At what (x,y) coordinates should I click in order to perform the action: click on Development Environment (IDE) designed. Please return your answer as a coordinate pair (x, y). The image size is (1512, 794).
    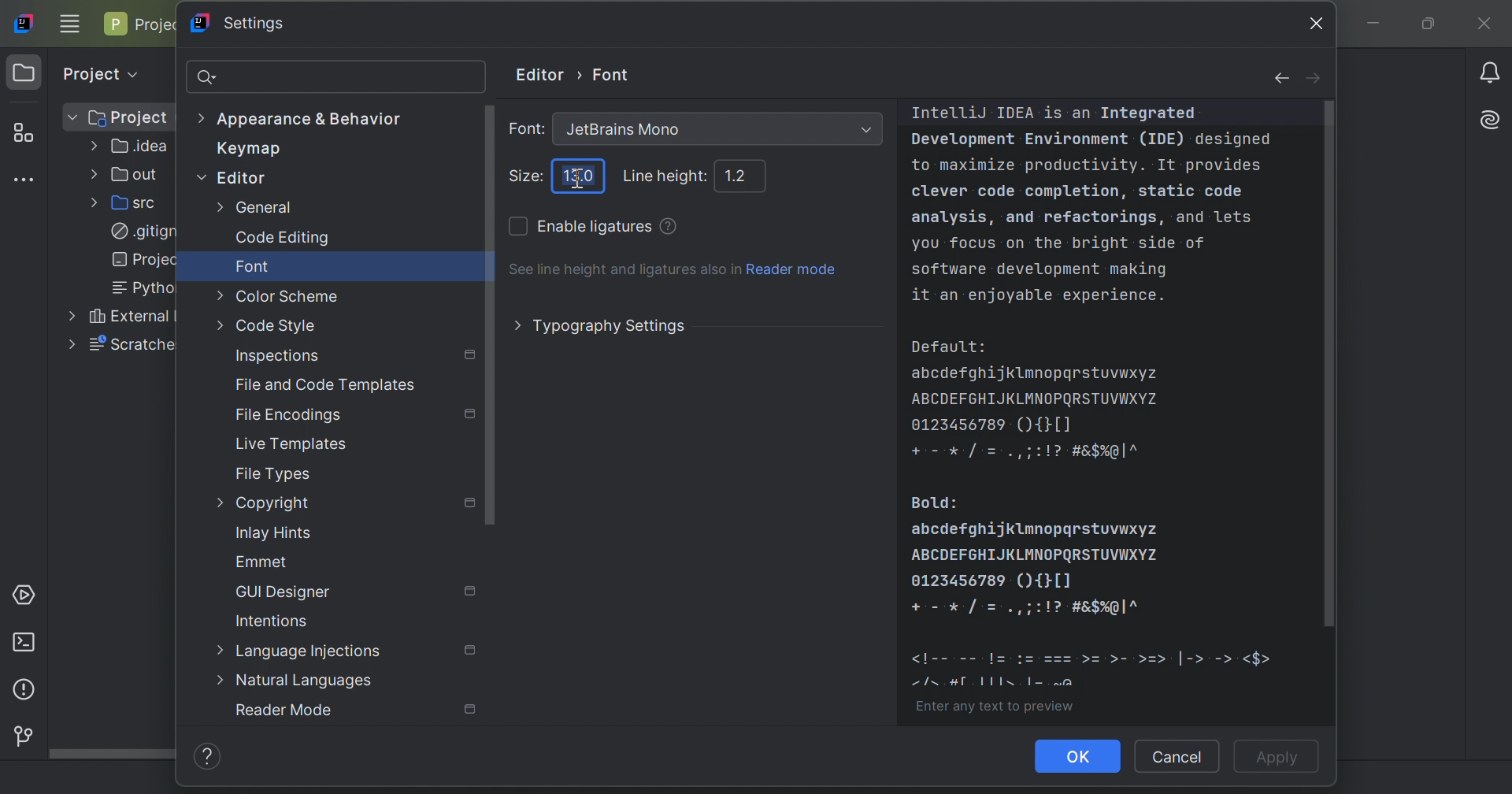
    Looking at the image, I should click on (1091, 139).